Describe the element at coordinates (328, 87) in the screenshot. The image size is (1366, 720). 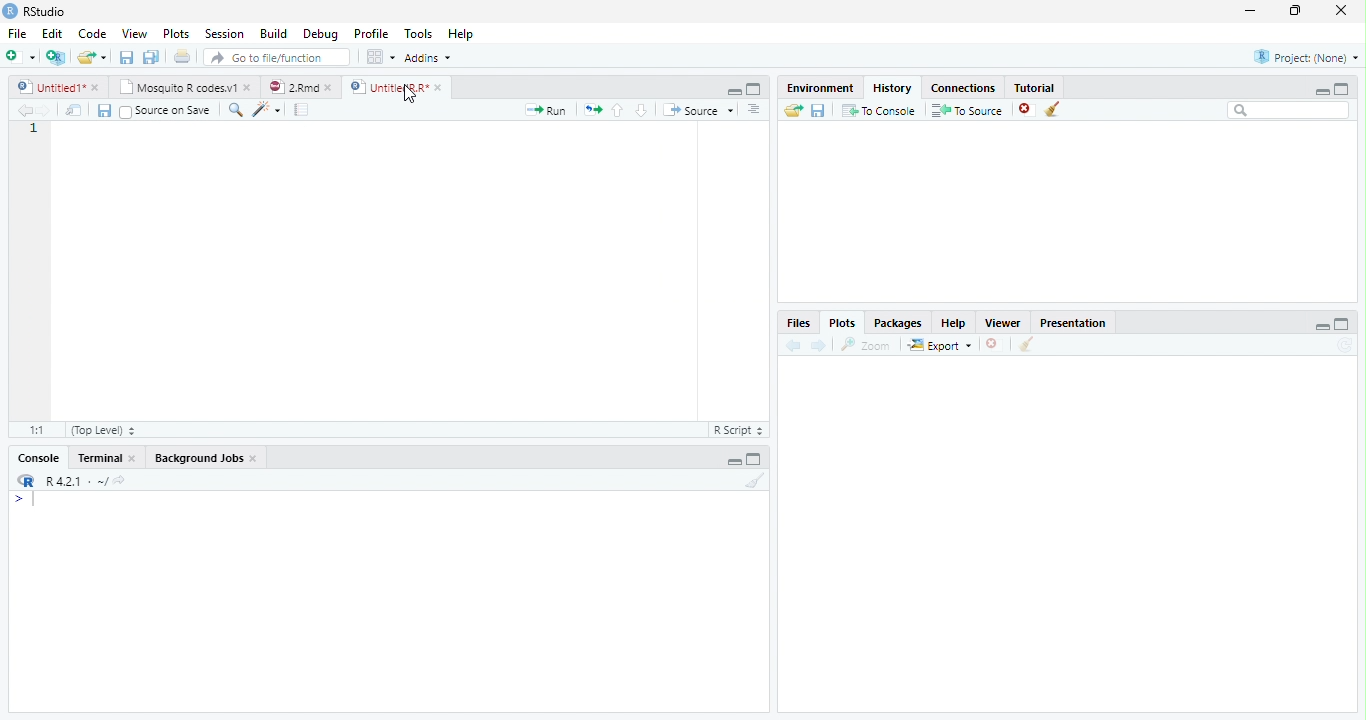
I see `close` at that location.